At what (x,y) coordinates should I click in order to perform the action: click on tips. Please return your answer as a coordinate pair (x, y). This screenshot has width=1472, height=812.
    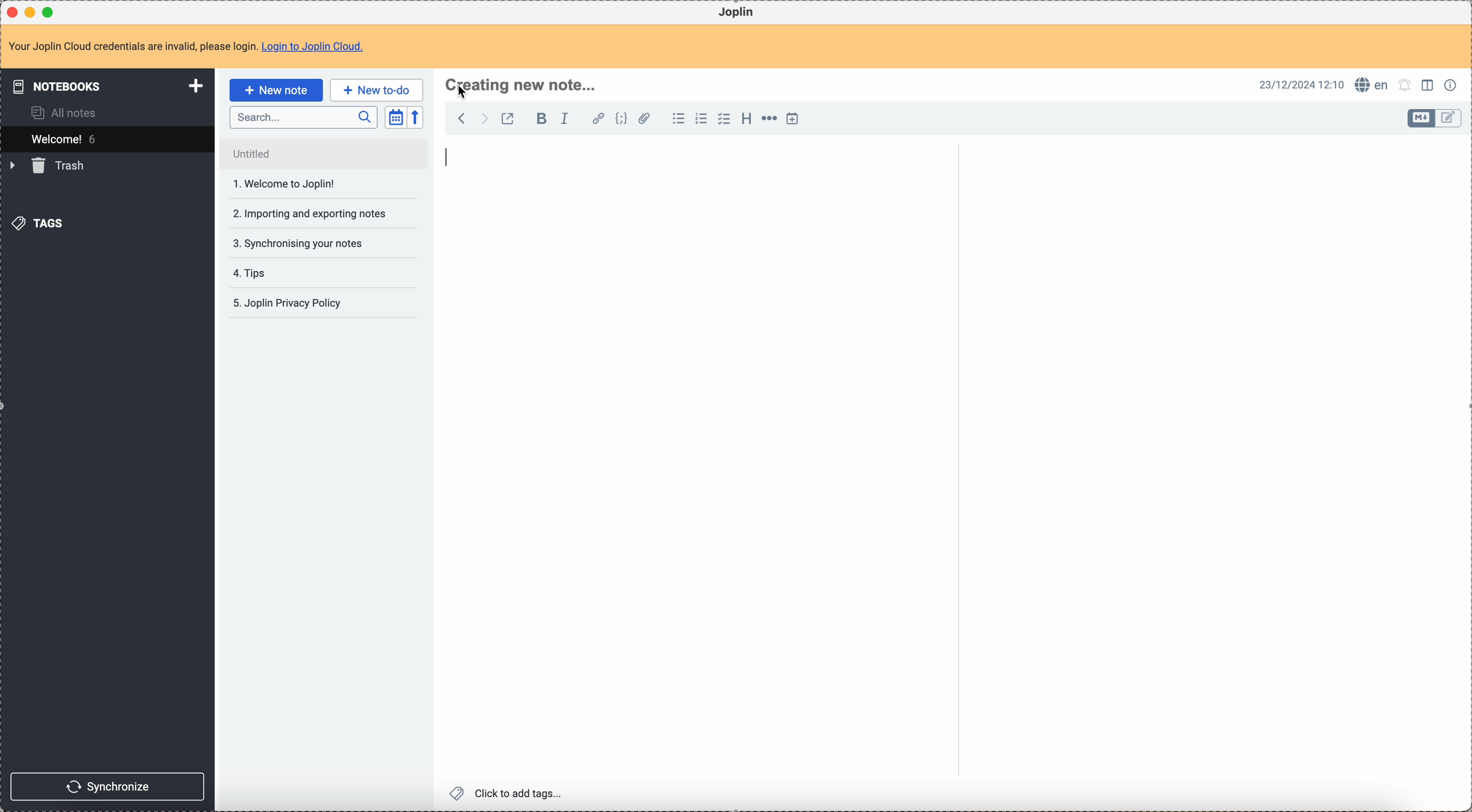
    Looking at the image, I should click on (309, 245).